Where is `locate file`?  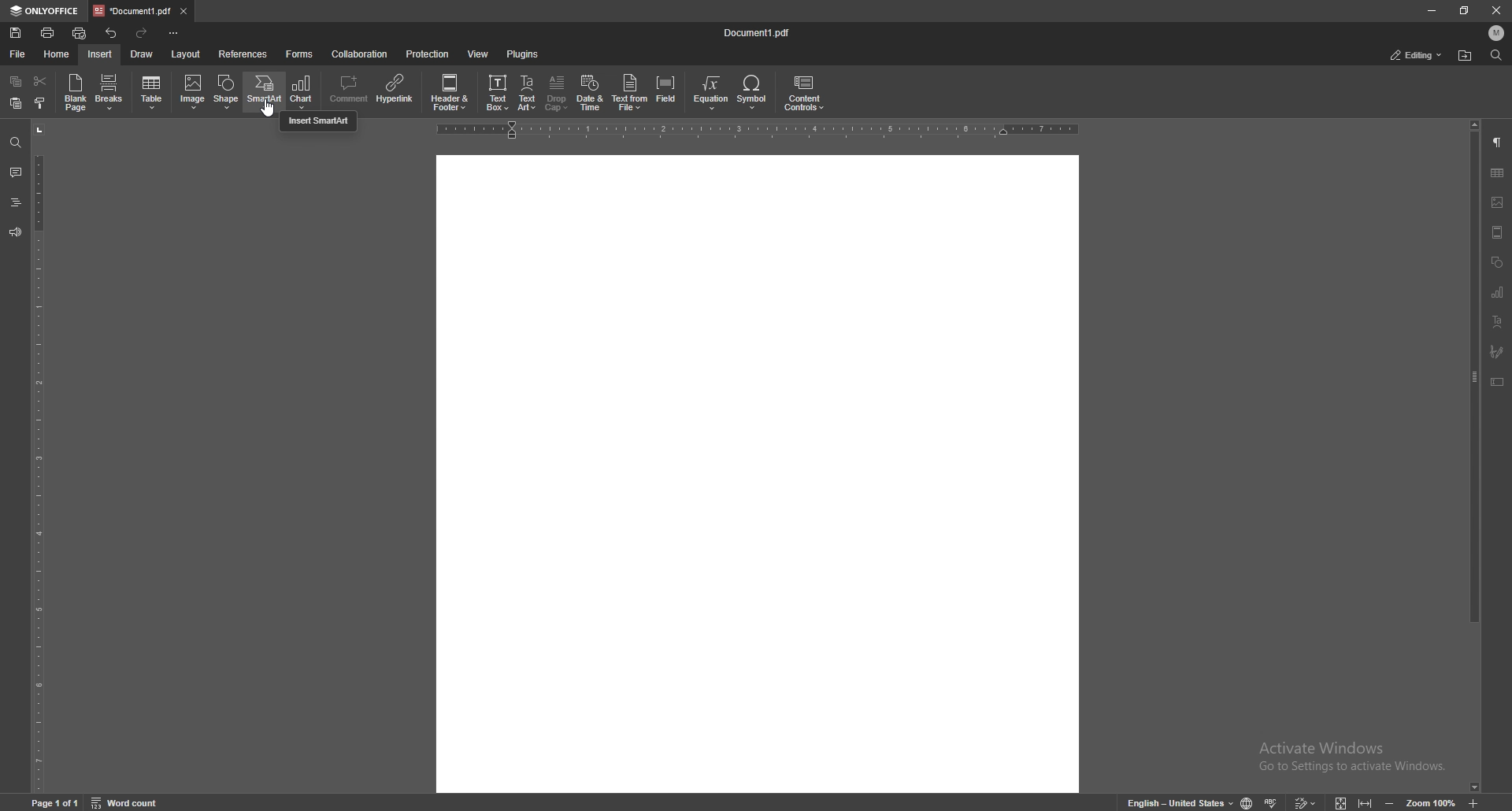
locate file is located at coordinates (1466, 55).